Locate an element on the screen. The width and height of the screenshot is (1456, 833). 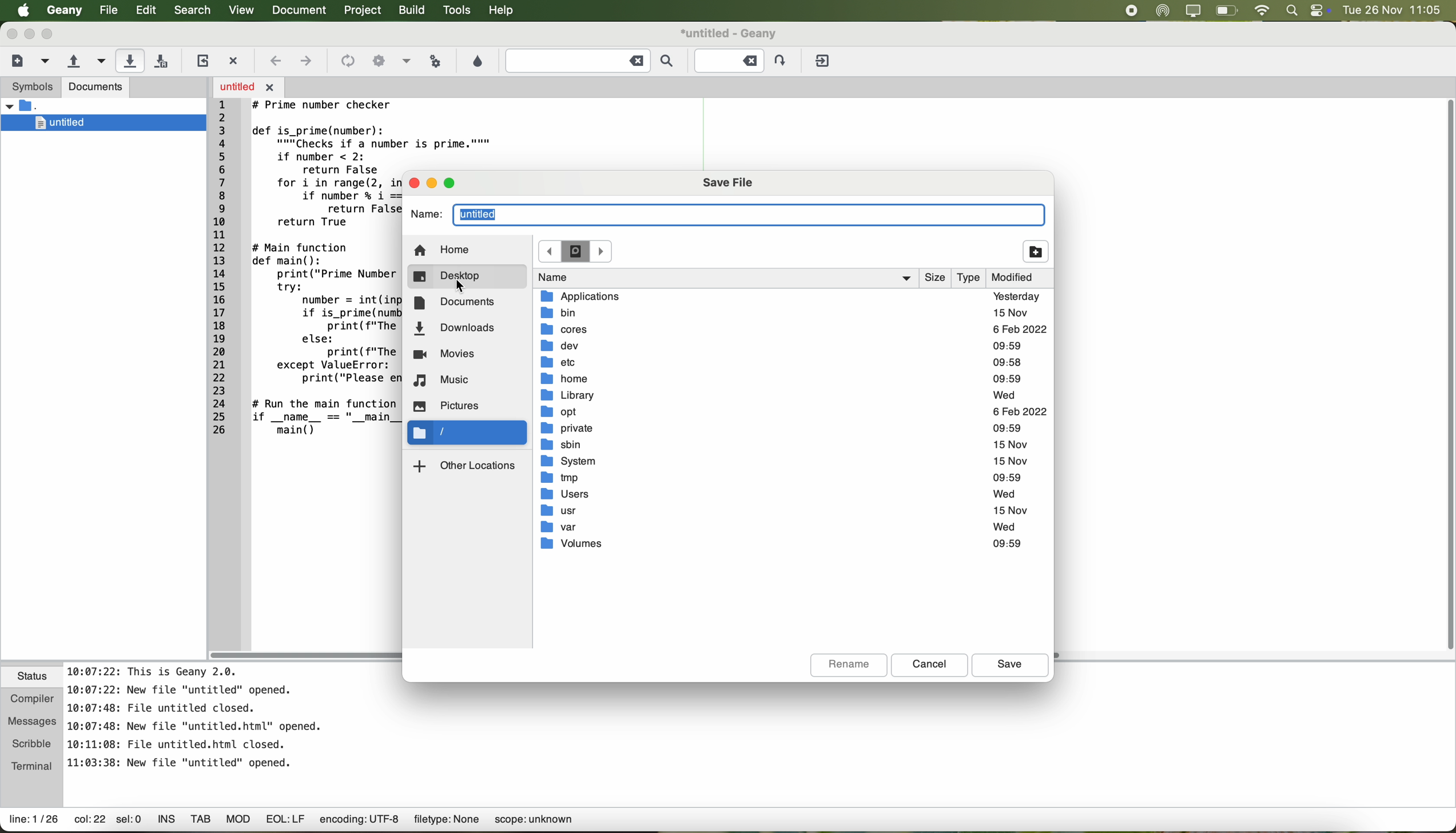
find the entered text in the current file is located at coordinates (590, 62).